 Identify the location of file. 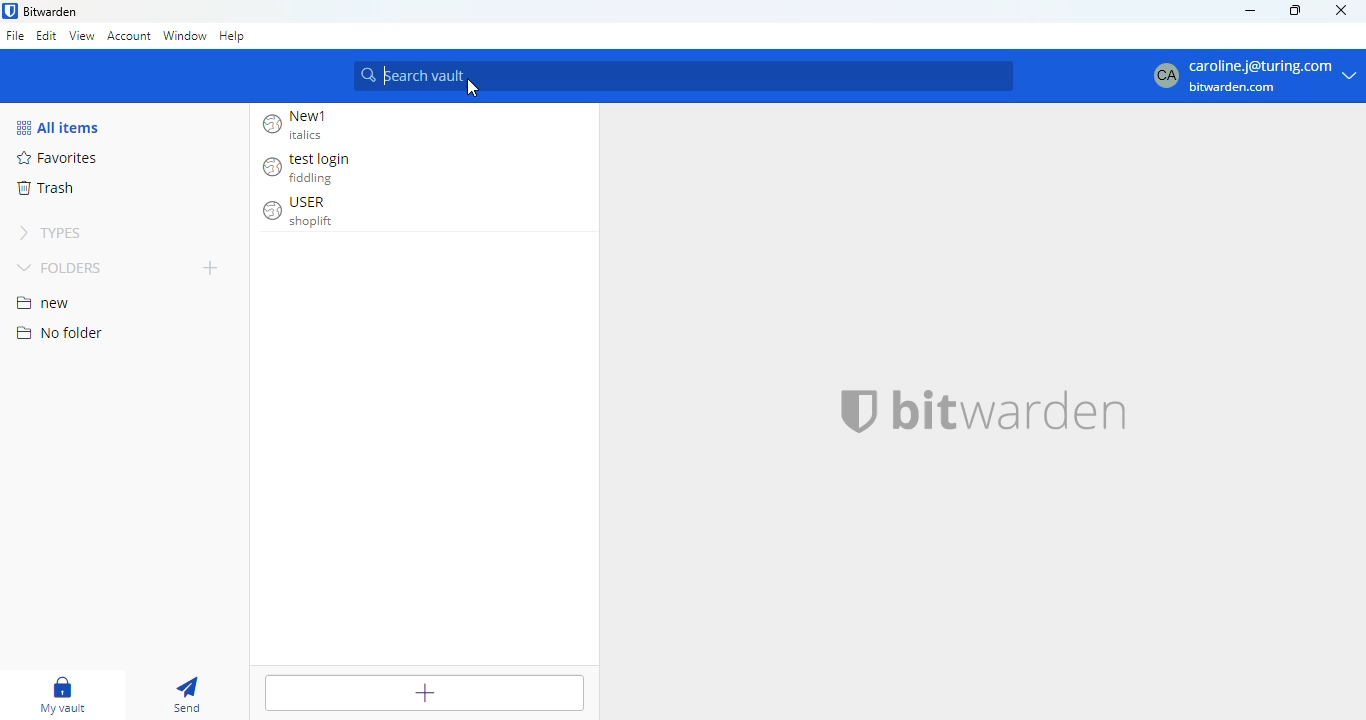
(15, 35).